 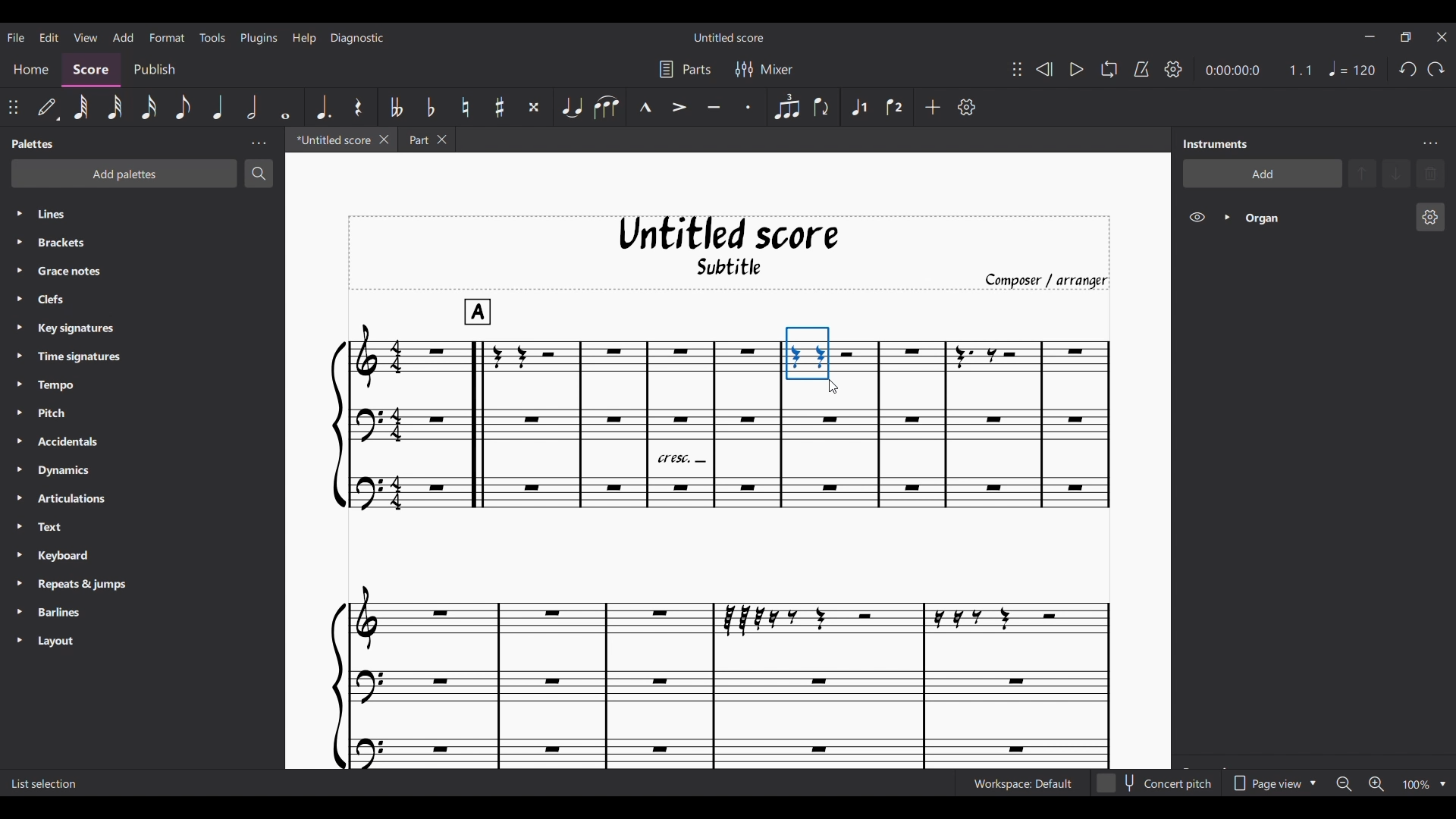 What do you see at coordinates (1225, 218) in the screenshot?
I see `Expand Organ` at bounding box center [1225, 218].